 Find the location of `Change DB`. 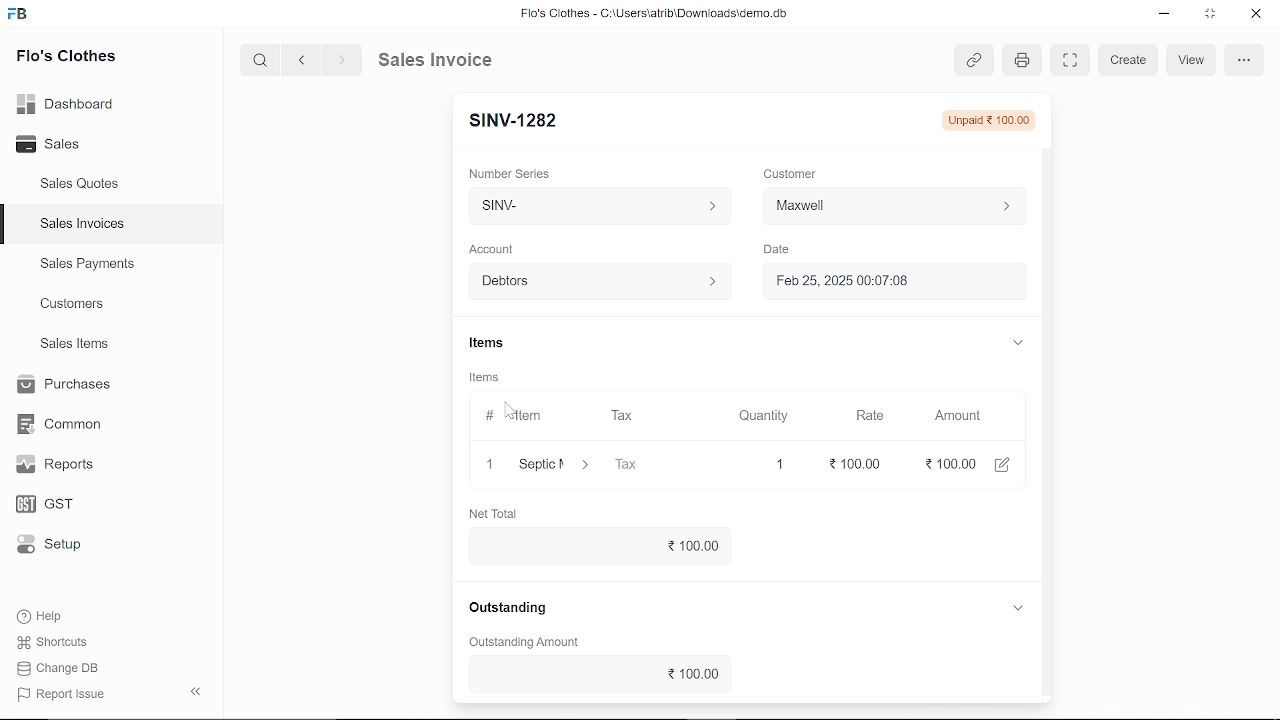

Change DB is located at coordinates (60, 667).